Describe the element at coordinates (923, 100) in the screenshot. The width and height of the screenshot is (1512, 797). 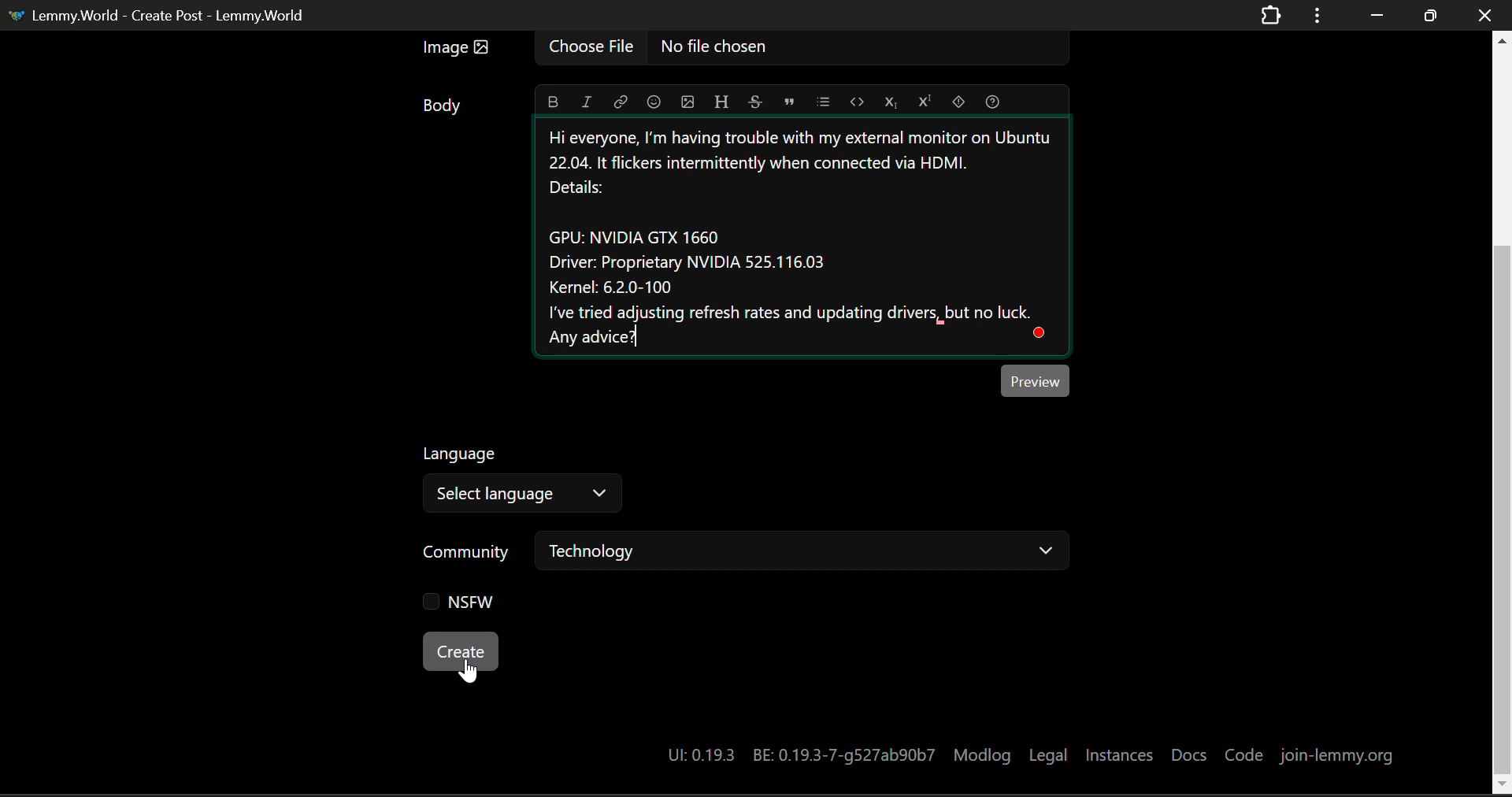
I see `Superscript` at that location.